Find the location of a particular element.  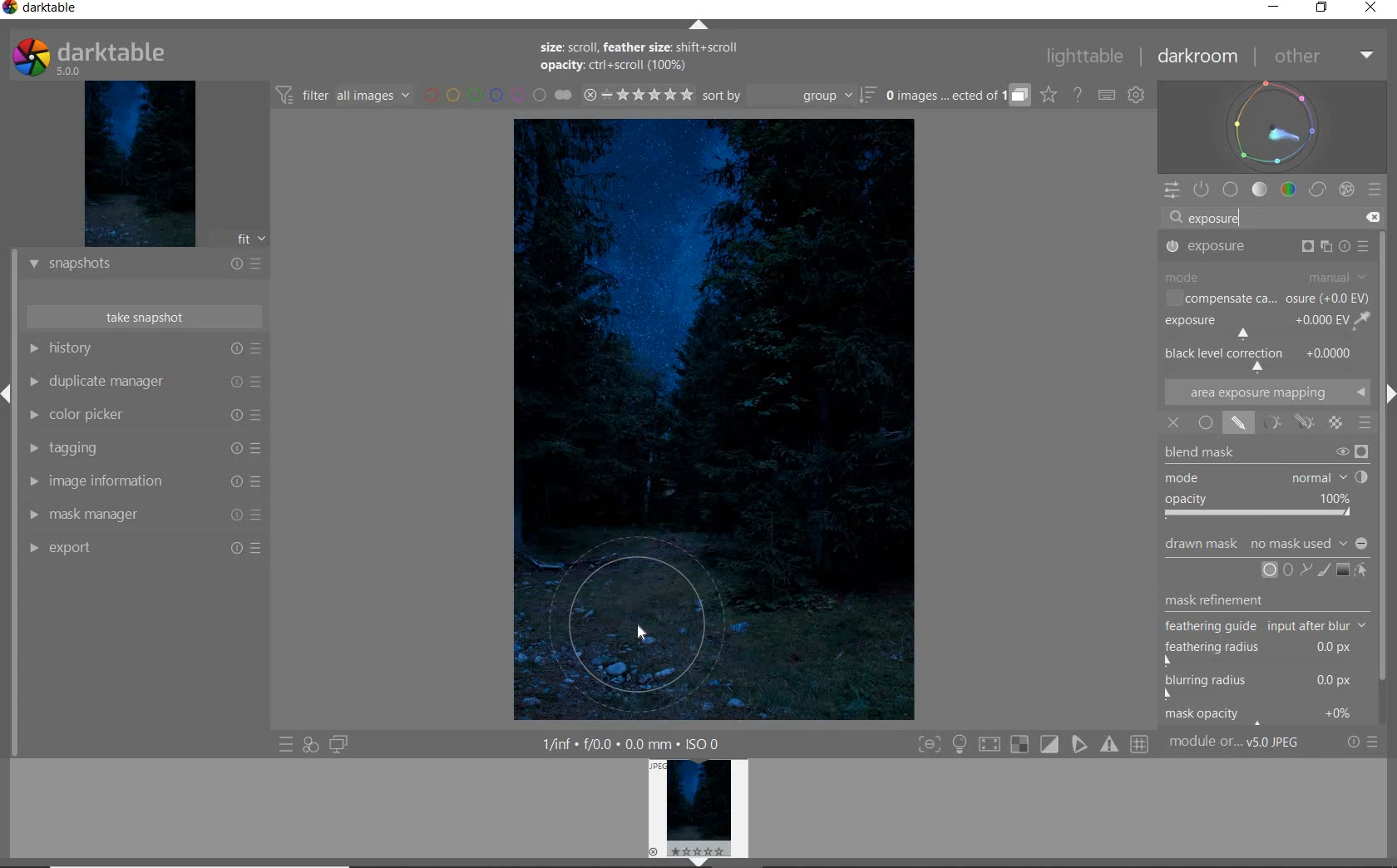

SYSTEM LOGO is located at coordinates (91, 55).